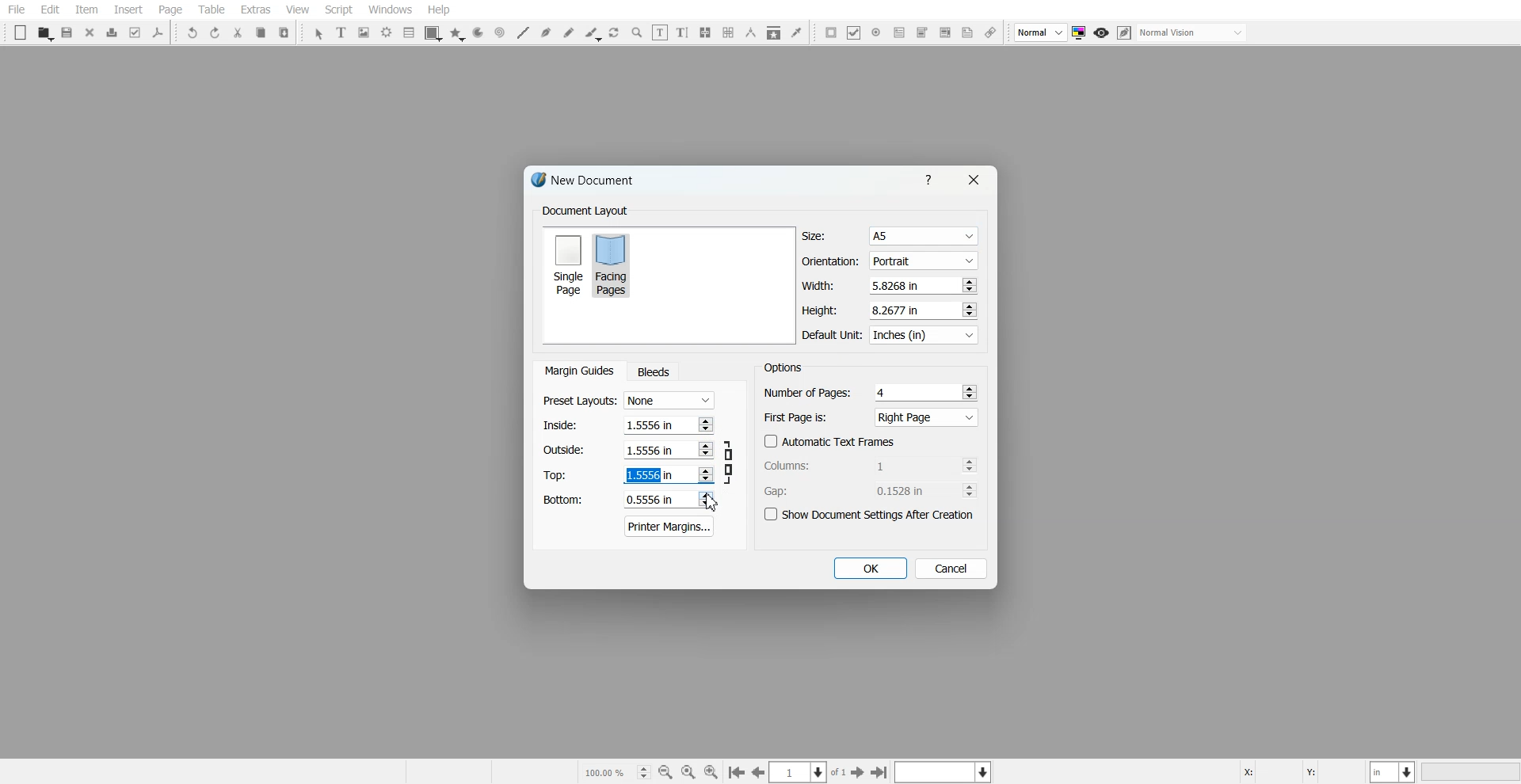  What do you see at coordinates (665, 772) in the screenshot?
I see `Zoom Out` at bounding box center [665, 772].